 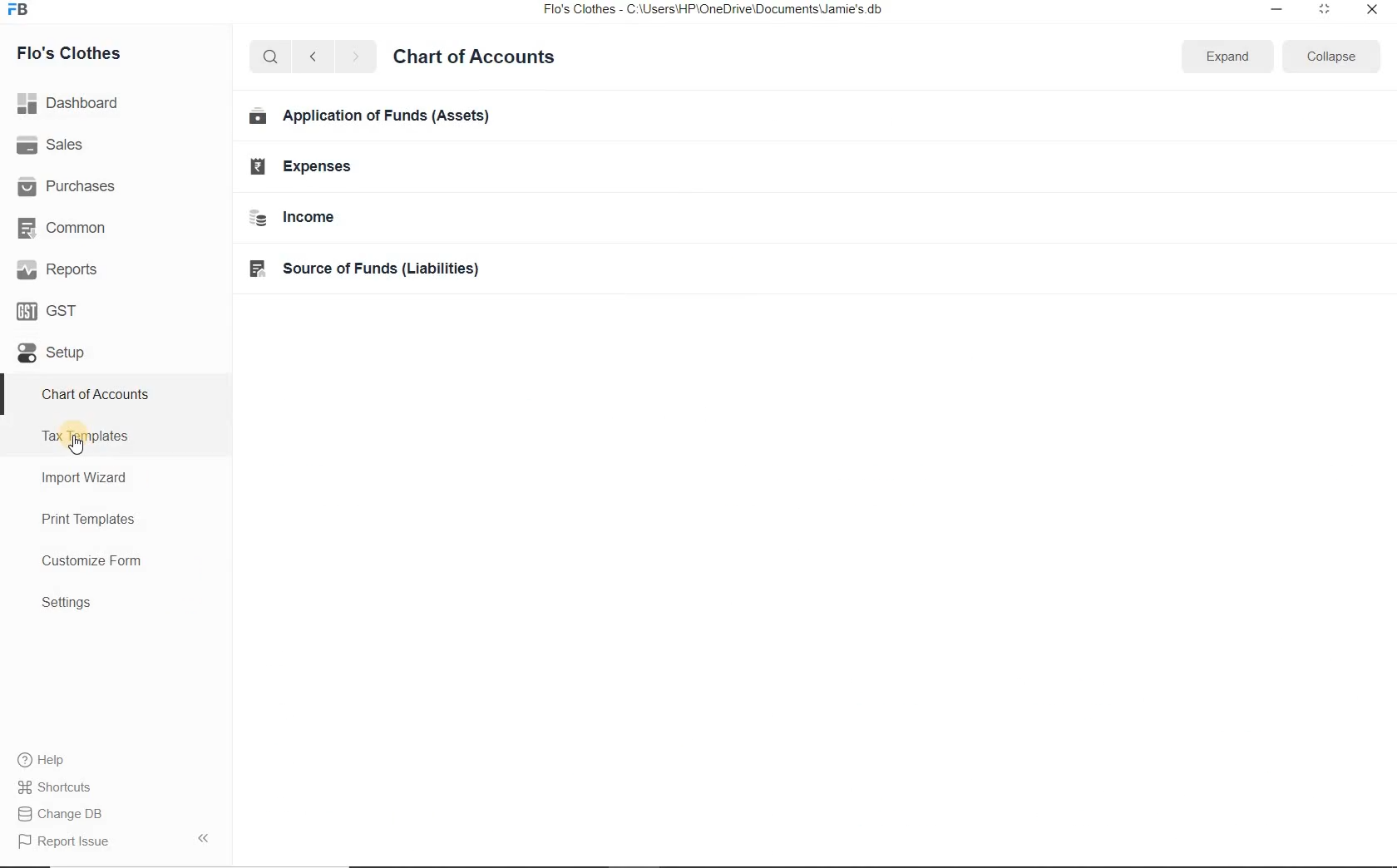 I want to click on Print Templates, so click(x=116, y=519).